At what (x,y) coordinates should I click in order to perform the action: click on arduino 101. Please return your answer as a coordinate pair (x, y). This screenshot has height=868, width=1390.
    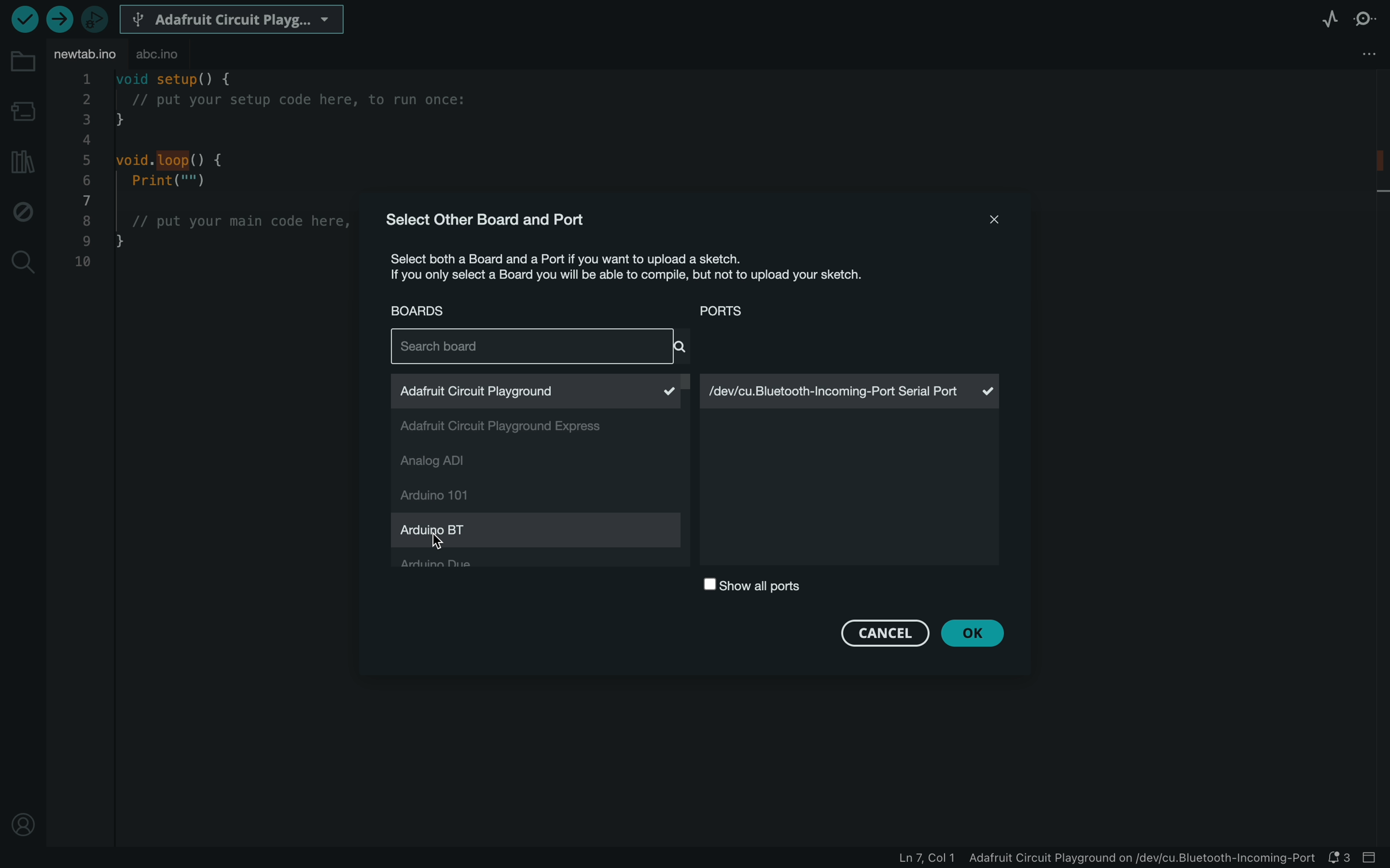
    Looking at the image, I should click on (443, 494).